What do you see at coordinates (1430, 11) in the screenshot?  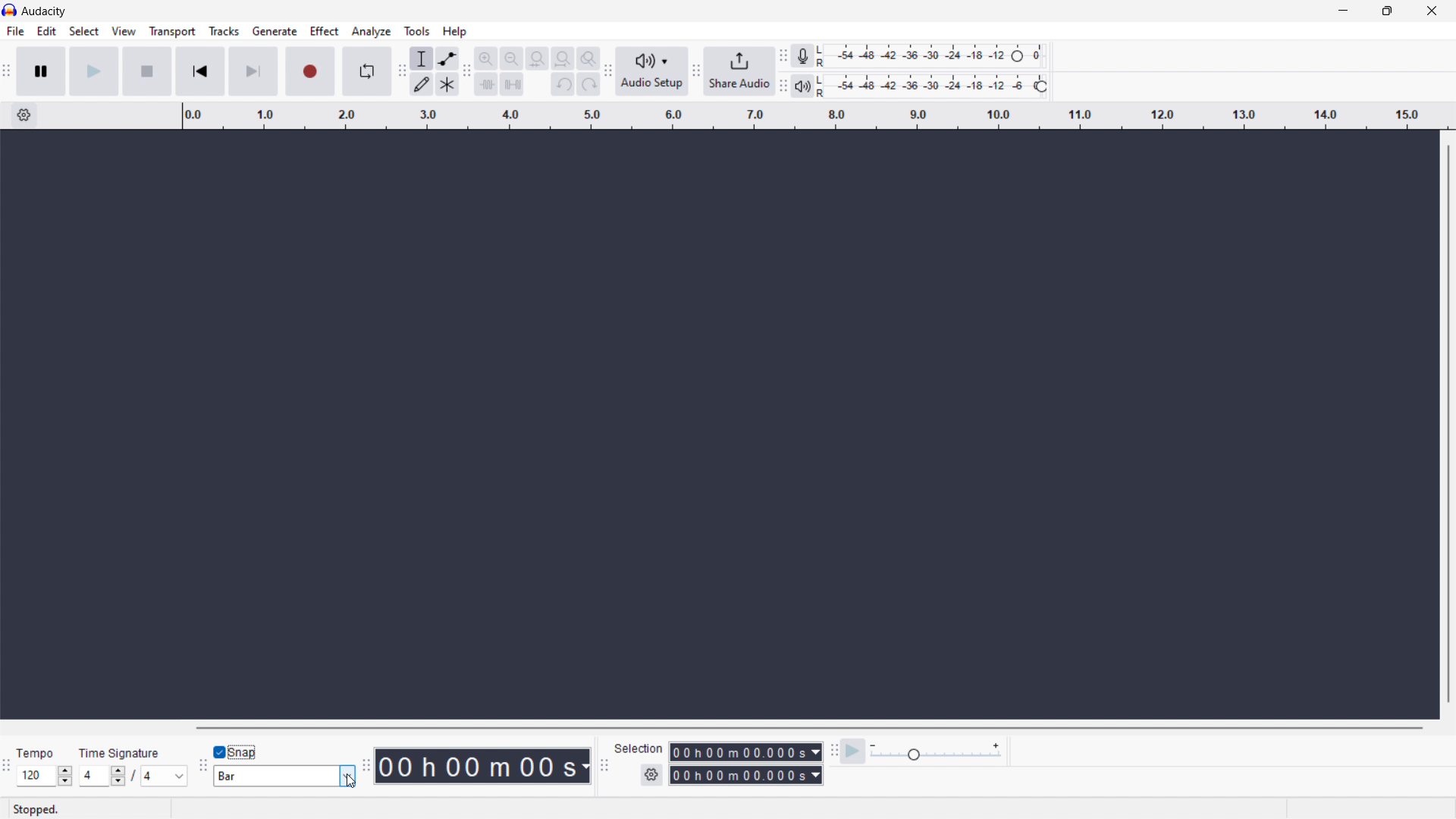 I see `close` at bounding box center [1430, 11].